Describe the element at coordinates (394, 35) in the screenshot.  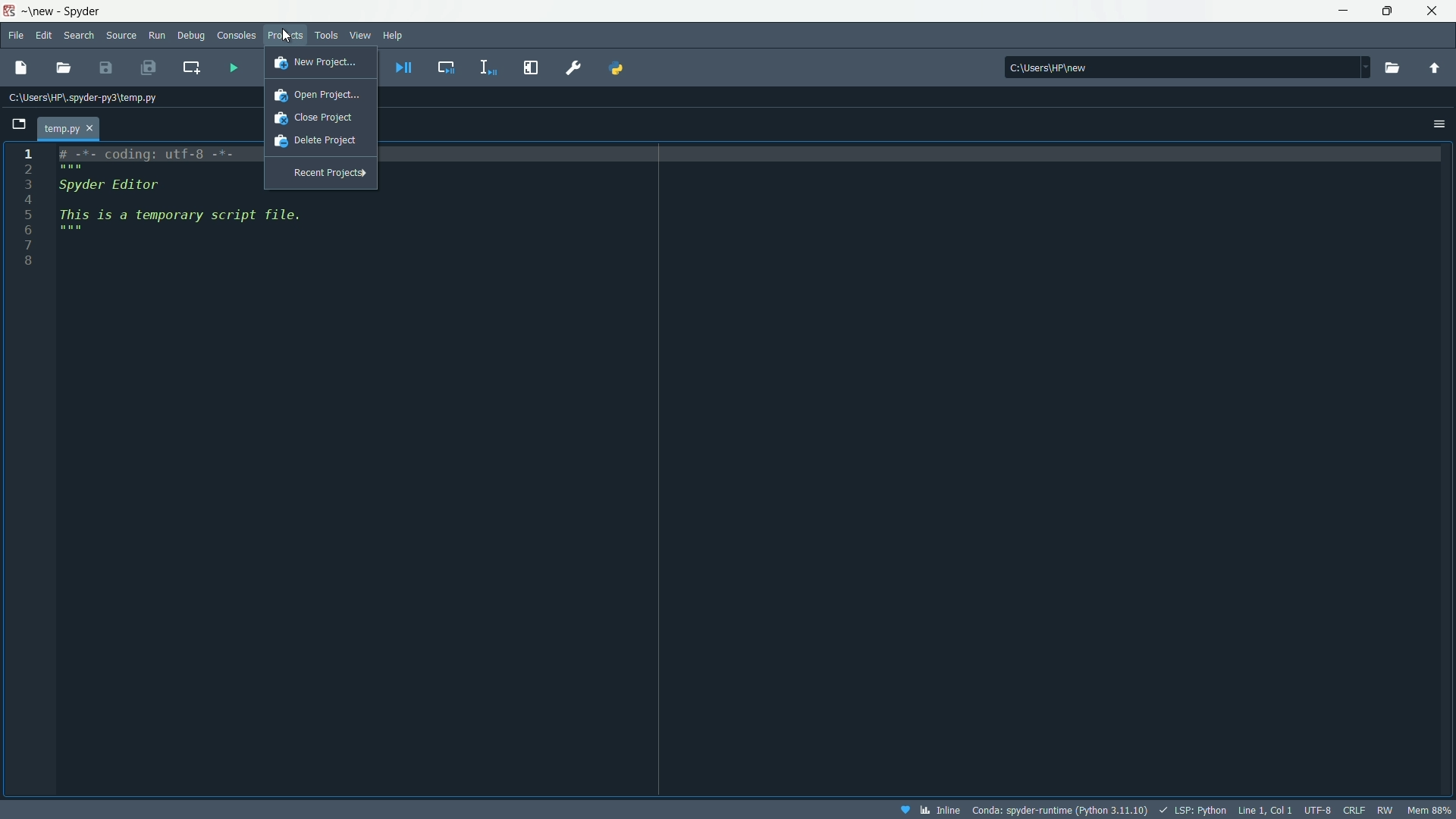
I see `Help menu` at that location.